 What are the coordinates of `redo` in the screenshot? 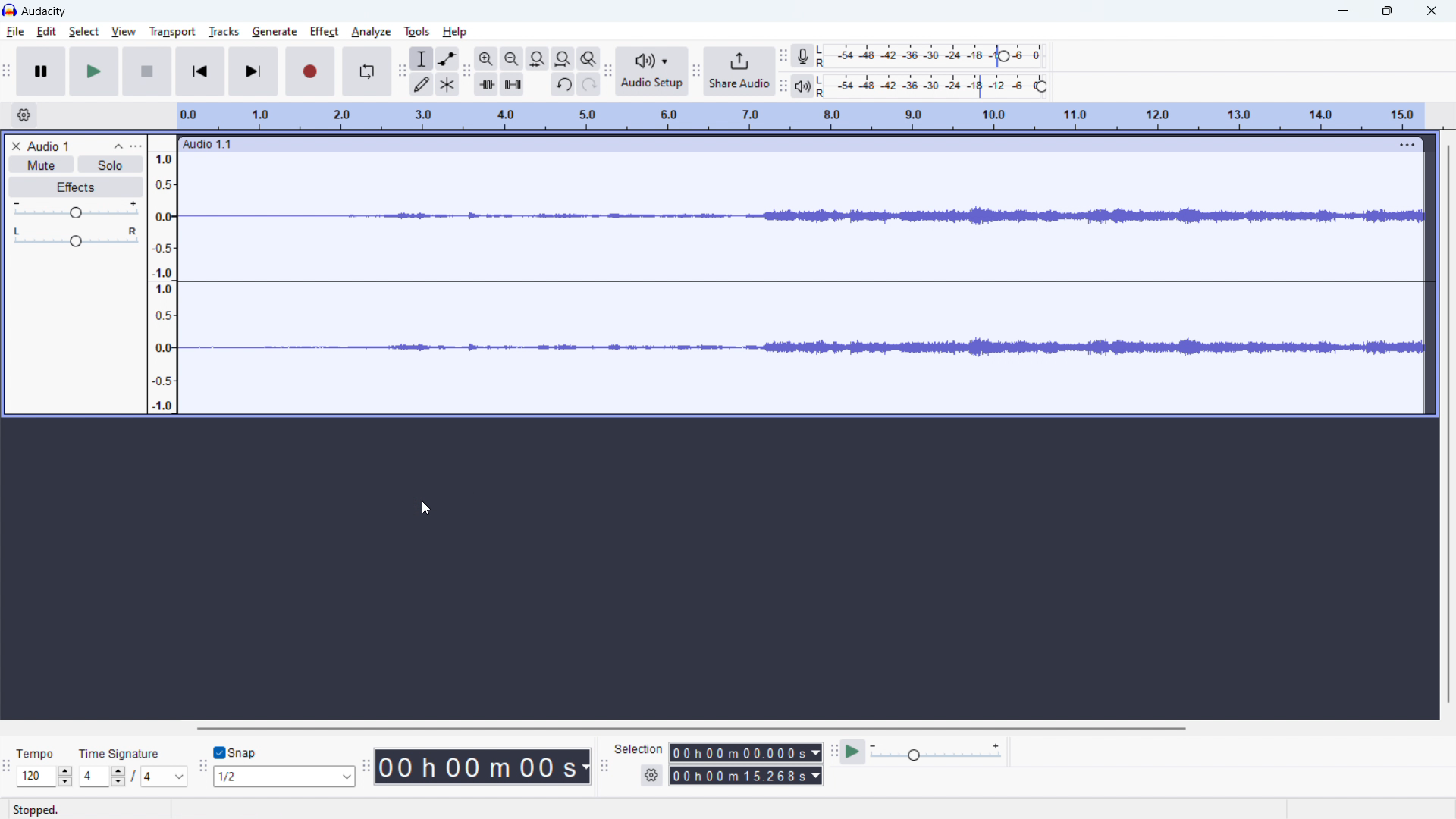 It's located at (589, 84).